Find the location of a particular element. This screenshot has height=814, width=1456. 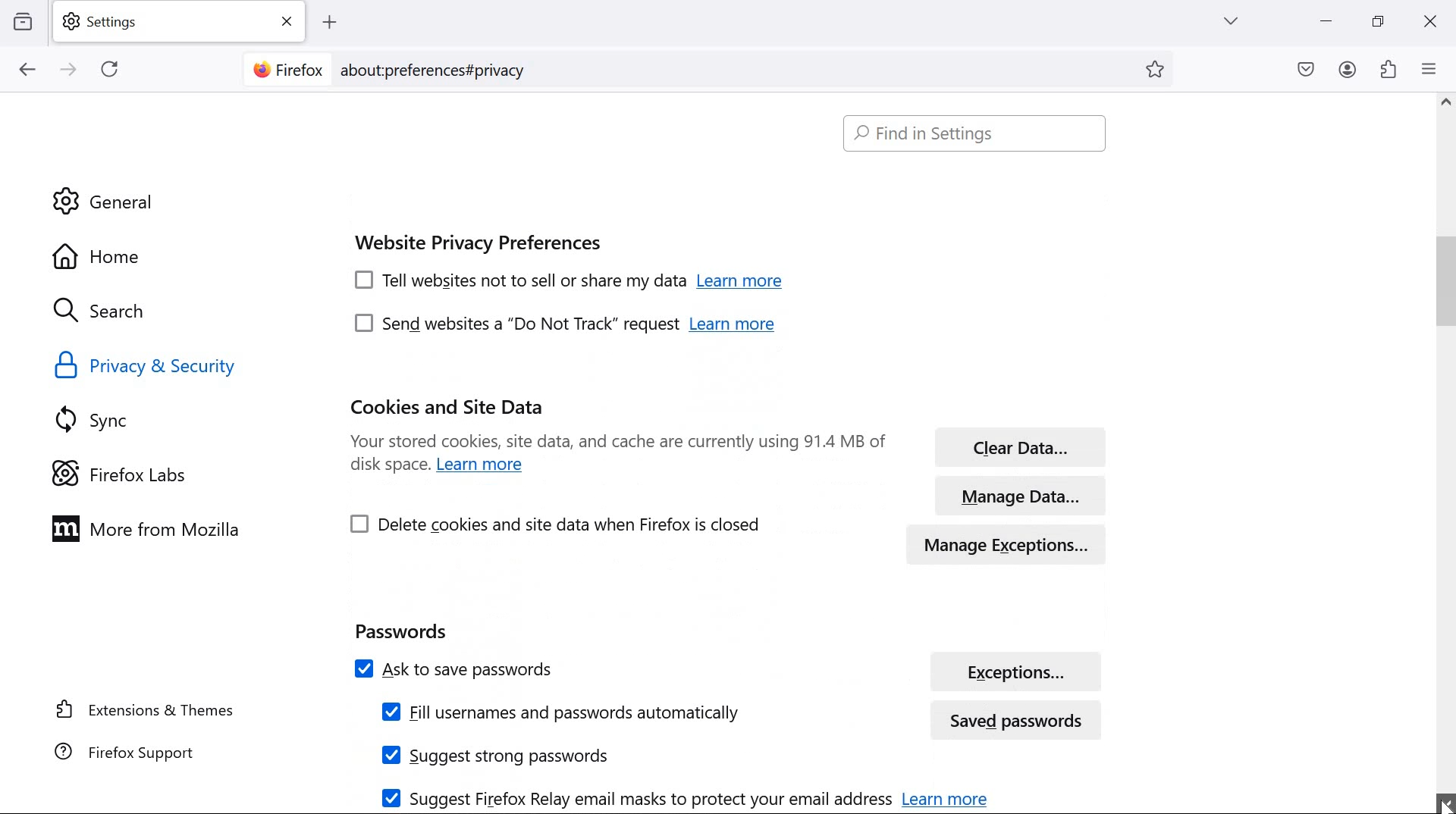

manage data is located at coordinates (1027, 499).